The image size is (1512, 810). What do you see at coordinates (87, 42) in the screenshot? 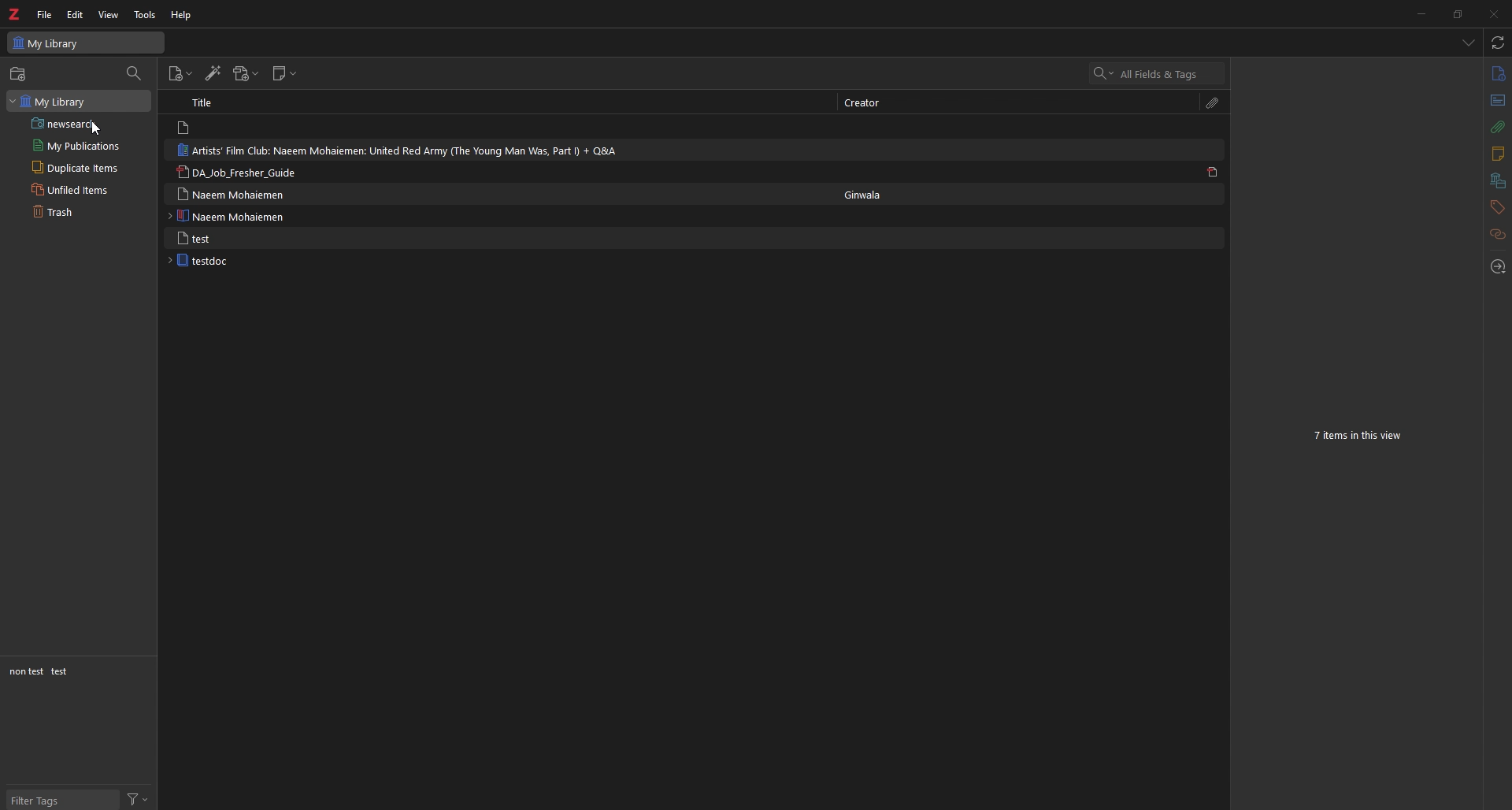
I see `My Library` at bounding box center [87, 42].